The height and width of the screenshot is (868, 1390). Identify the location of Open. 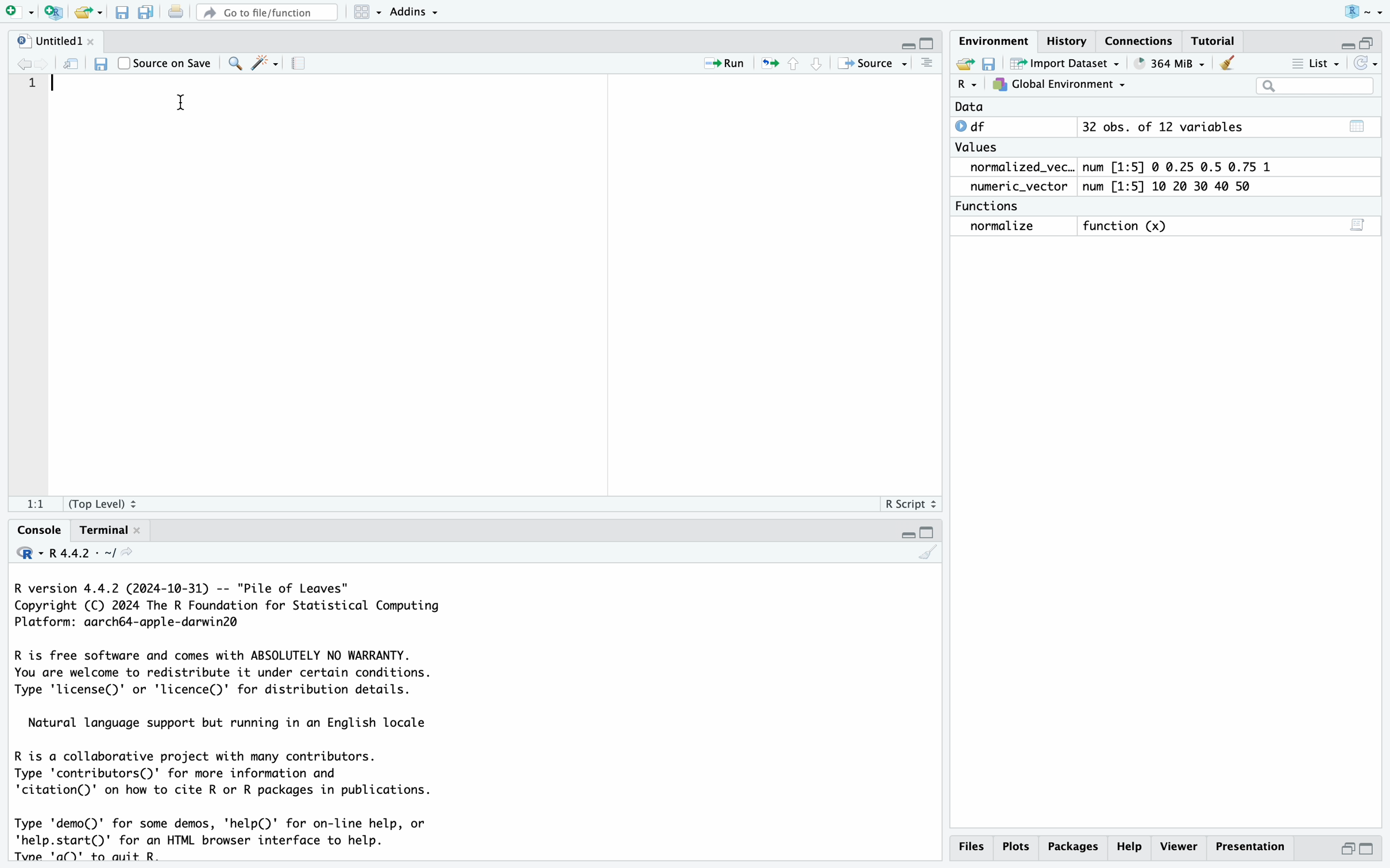
(90, 13).